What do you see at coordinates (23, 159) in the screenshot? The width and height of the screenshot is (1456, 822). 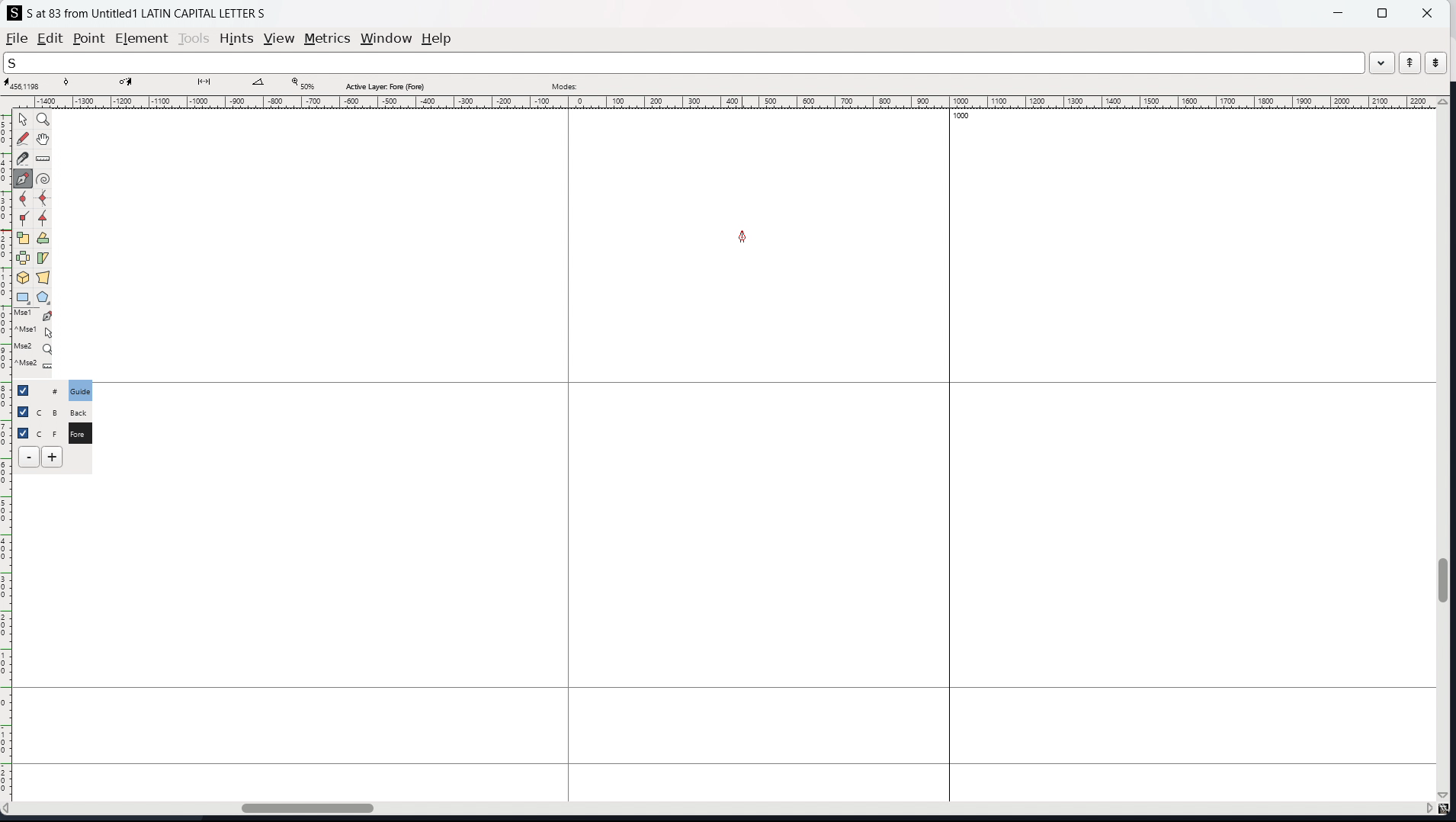 I see `cut splines in two` at bounding box center [23, 159].